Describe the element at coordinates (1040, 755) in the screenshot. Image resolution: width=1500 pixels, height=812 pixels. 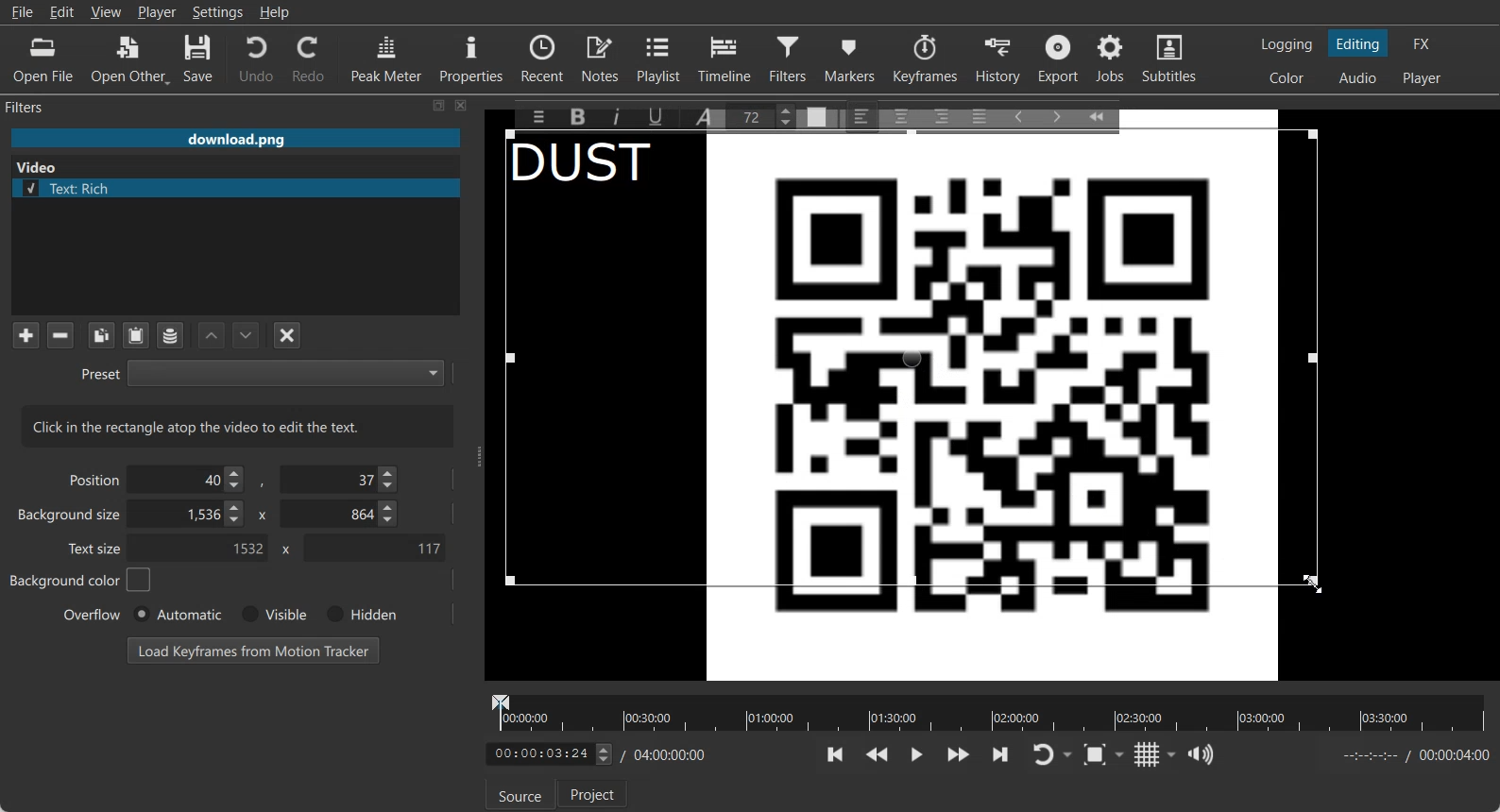
I see `Toggle player lopping` at that location.